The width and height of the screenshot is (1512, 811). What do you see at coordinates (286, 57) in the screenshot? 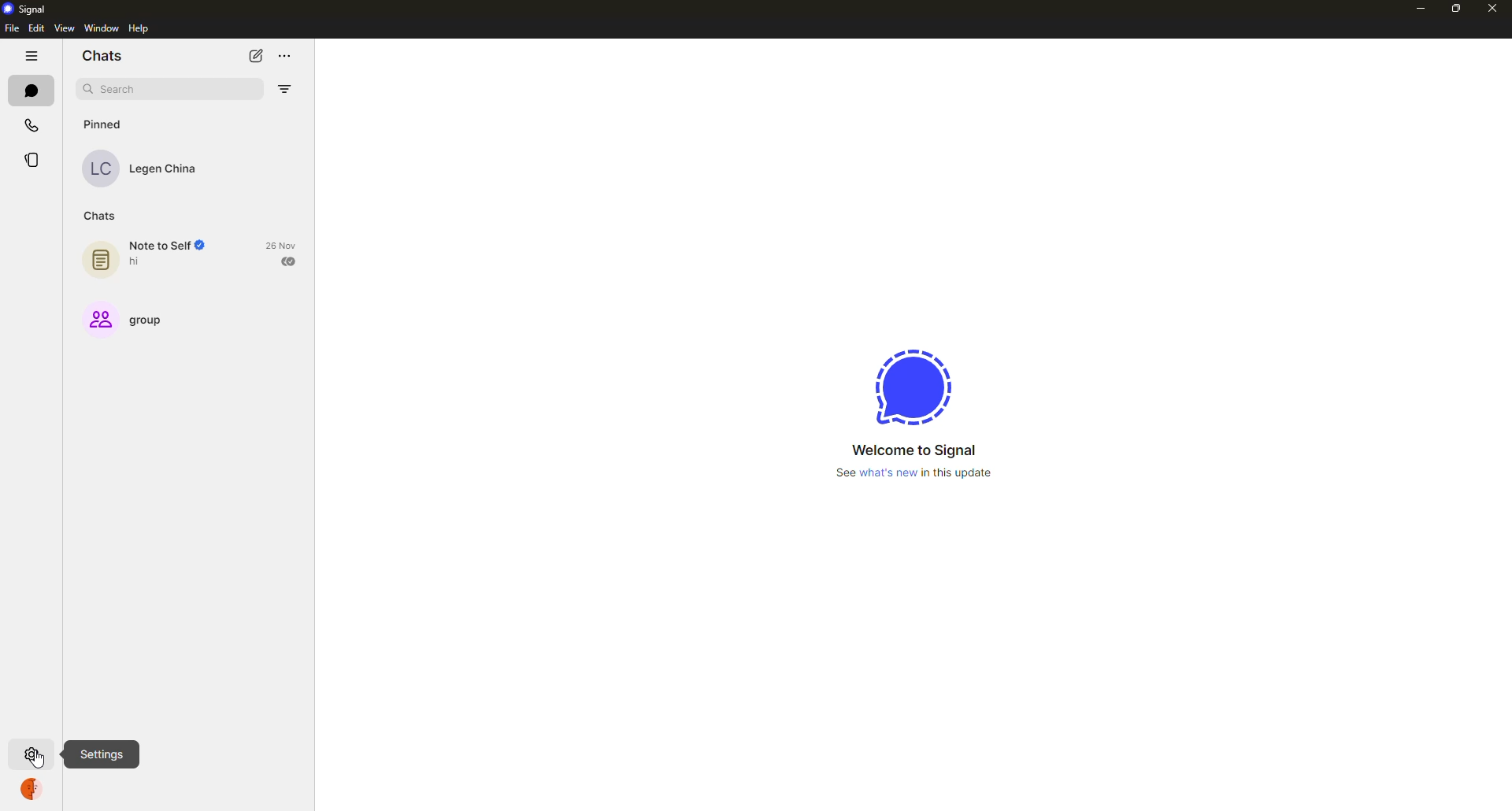
I see `more` at bounding box center [286, 57].